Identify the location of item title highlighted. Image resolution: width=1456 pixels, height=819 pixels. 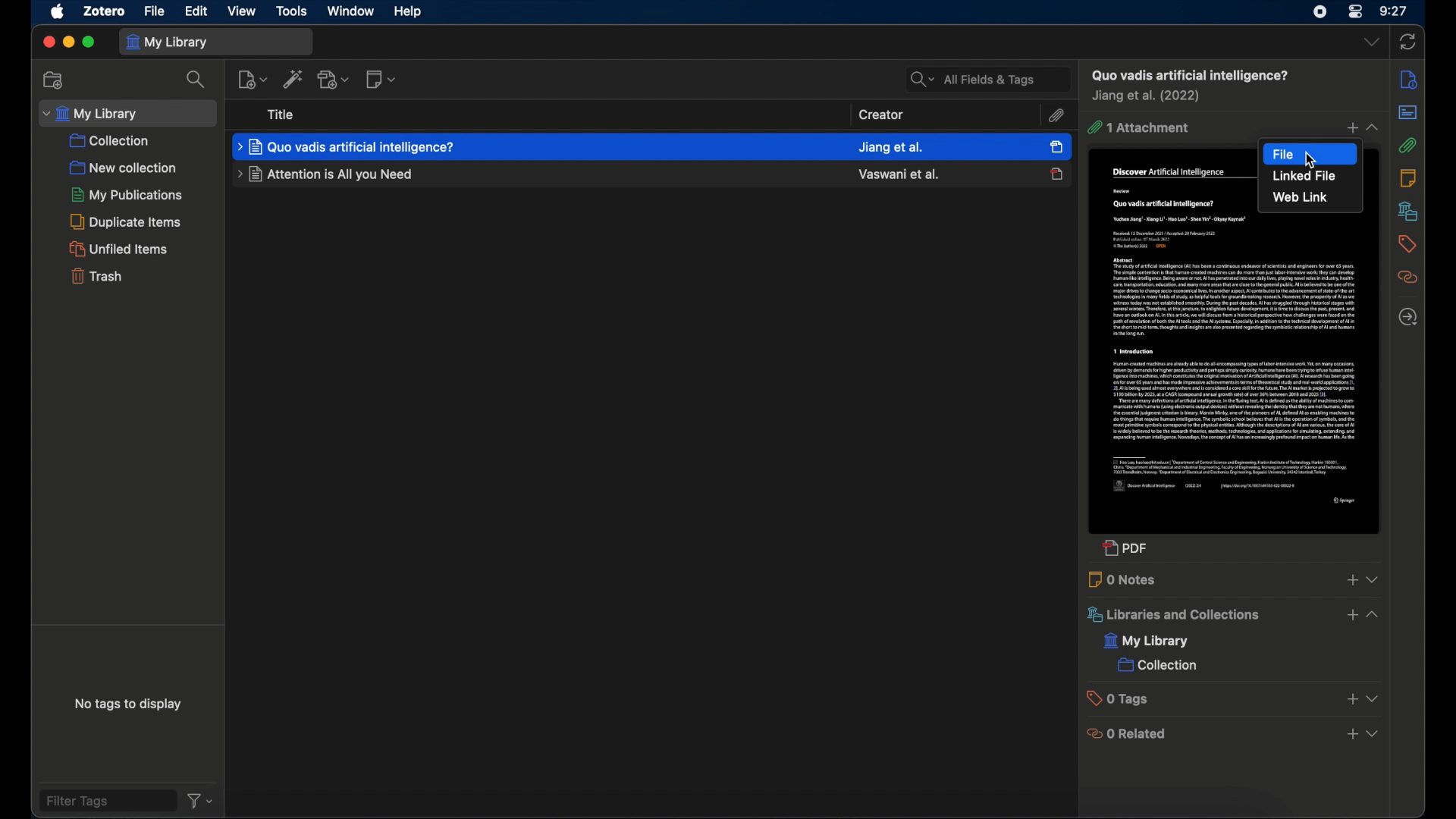
(348, 146).